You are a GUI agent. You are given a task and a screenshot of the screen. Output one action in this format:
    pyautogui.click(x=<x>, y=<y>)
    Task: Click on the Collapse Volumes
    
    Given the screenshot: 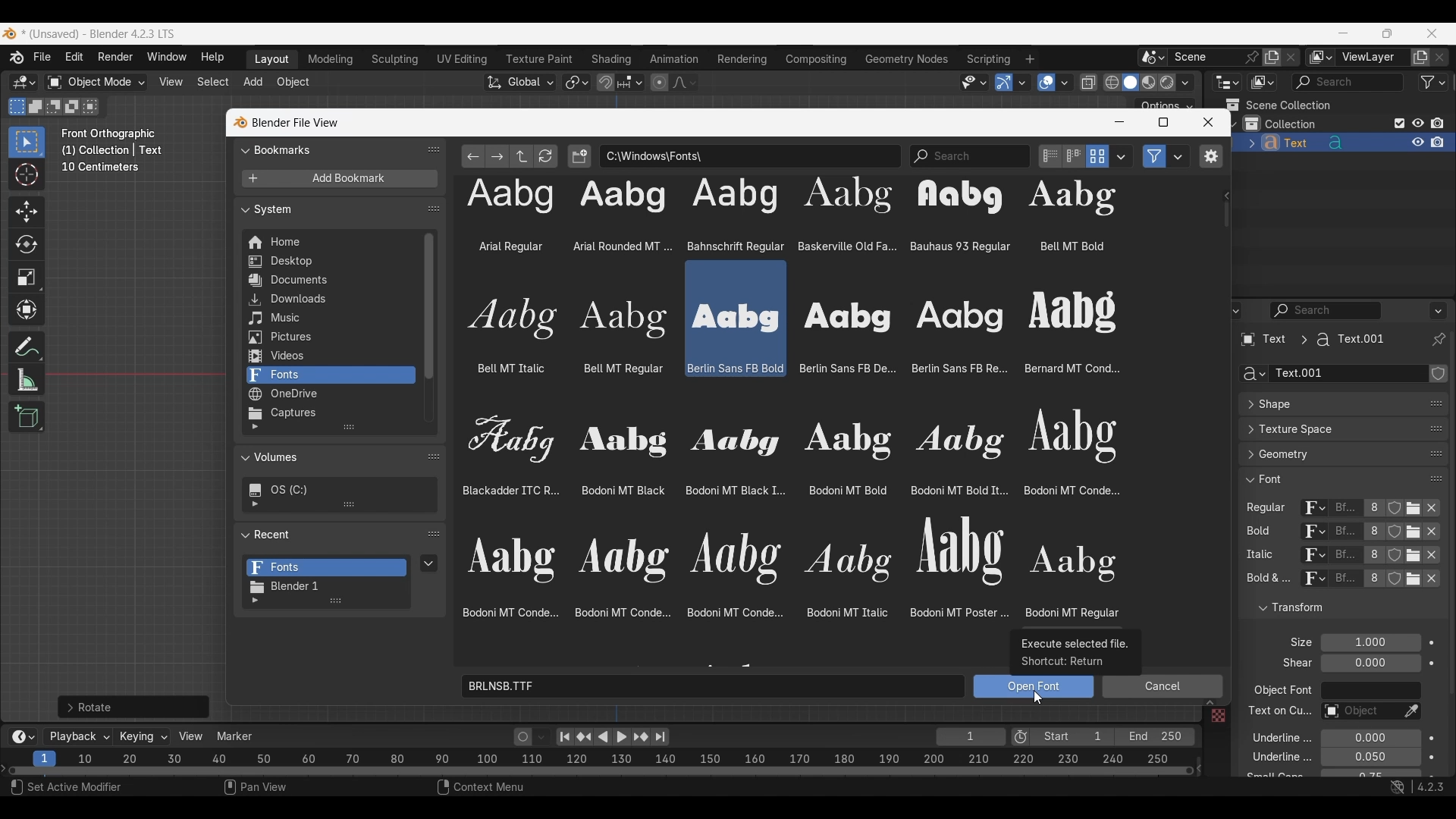 What is the action you would take?
    pyautogui.click(x=325, y=458)
    